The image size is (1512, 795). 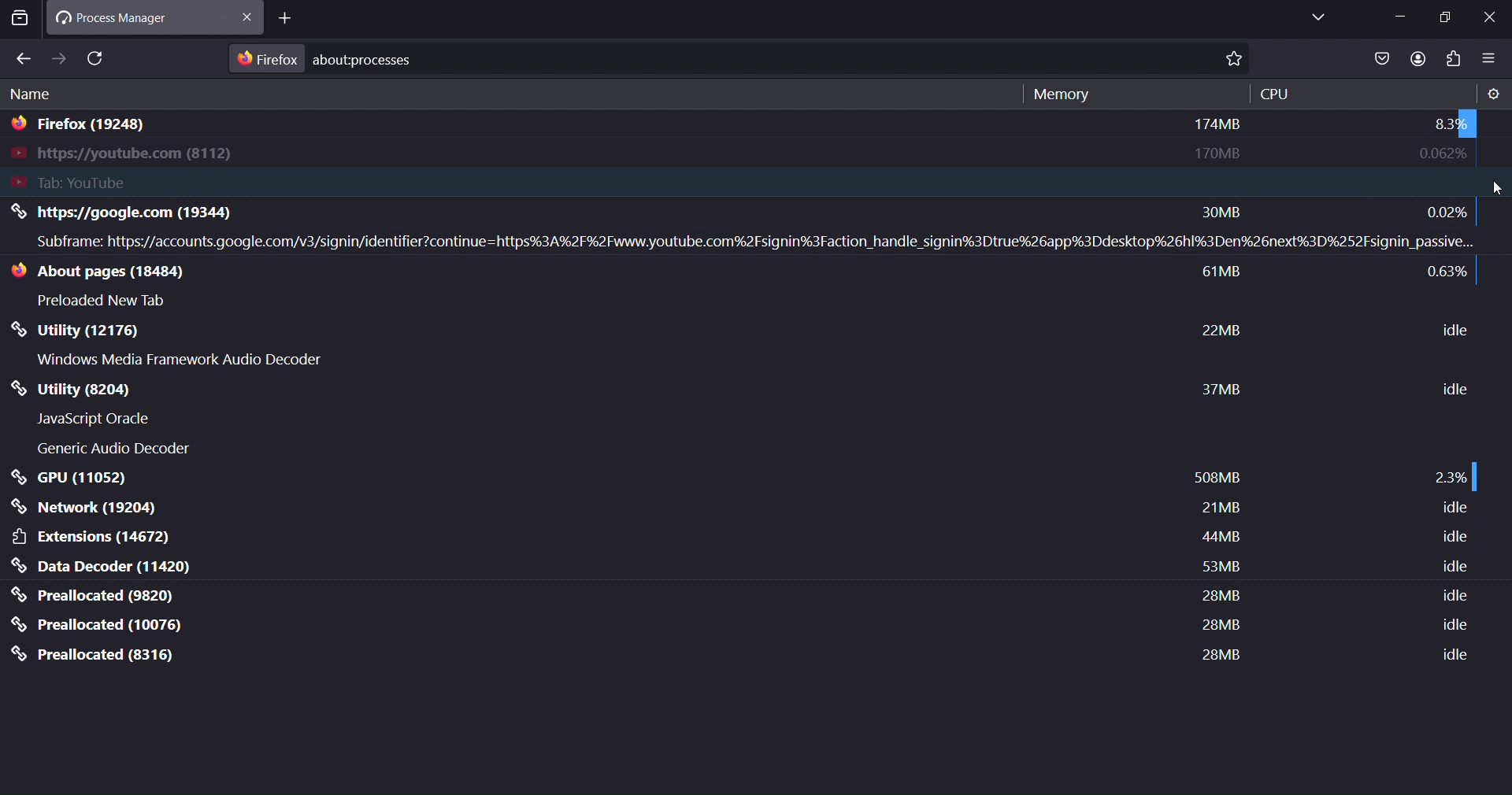 What do you see at coordinates (1220, 390) in the screenshot?
I see `37mb` at bounding box center [1220, 390].